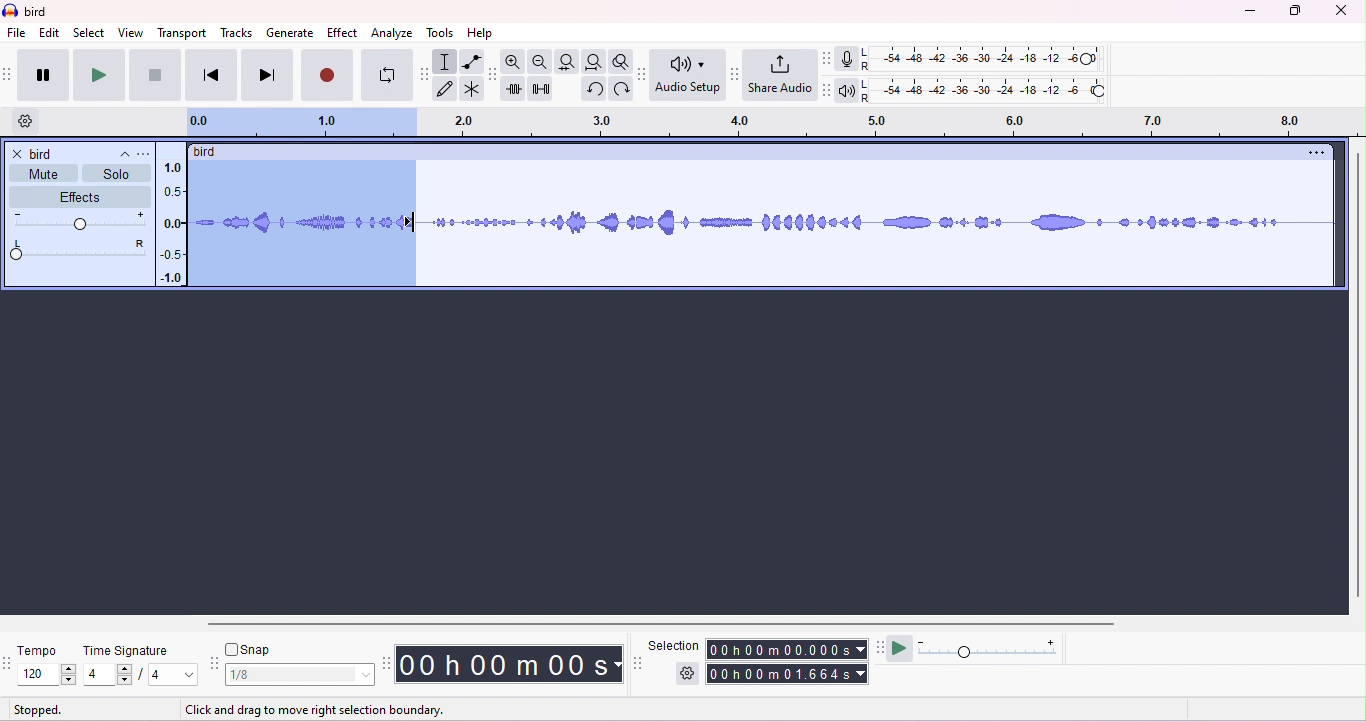 Image resolution: width=1366 pixels, height=722 pixels. Describe the element at coordinates (344, 34) in the screenshot. I see `effect` at that location.